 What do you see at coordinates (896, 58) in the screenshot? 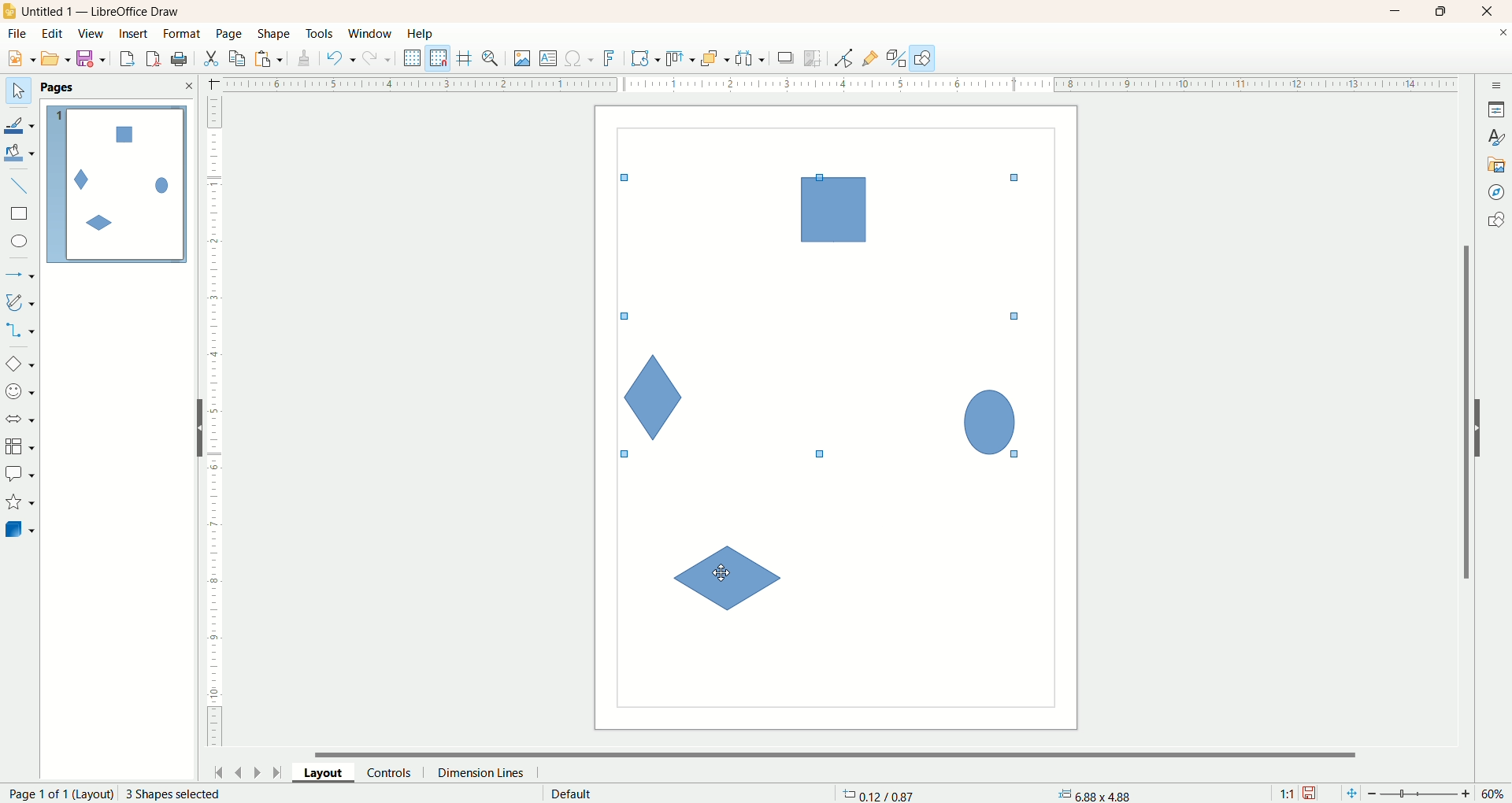
I see `toggle extrusion` at bounding box center [896, 58].